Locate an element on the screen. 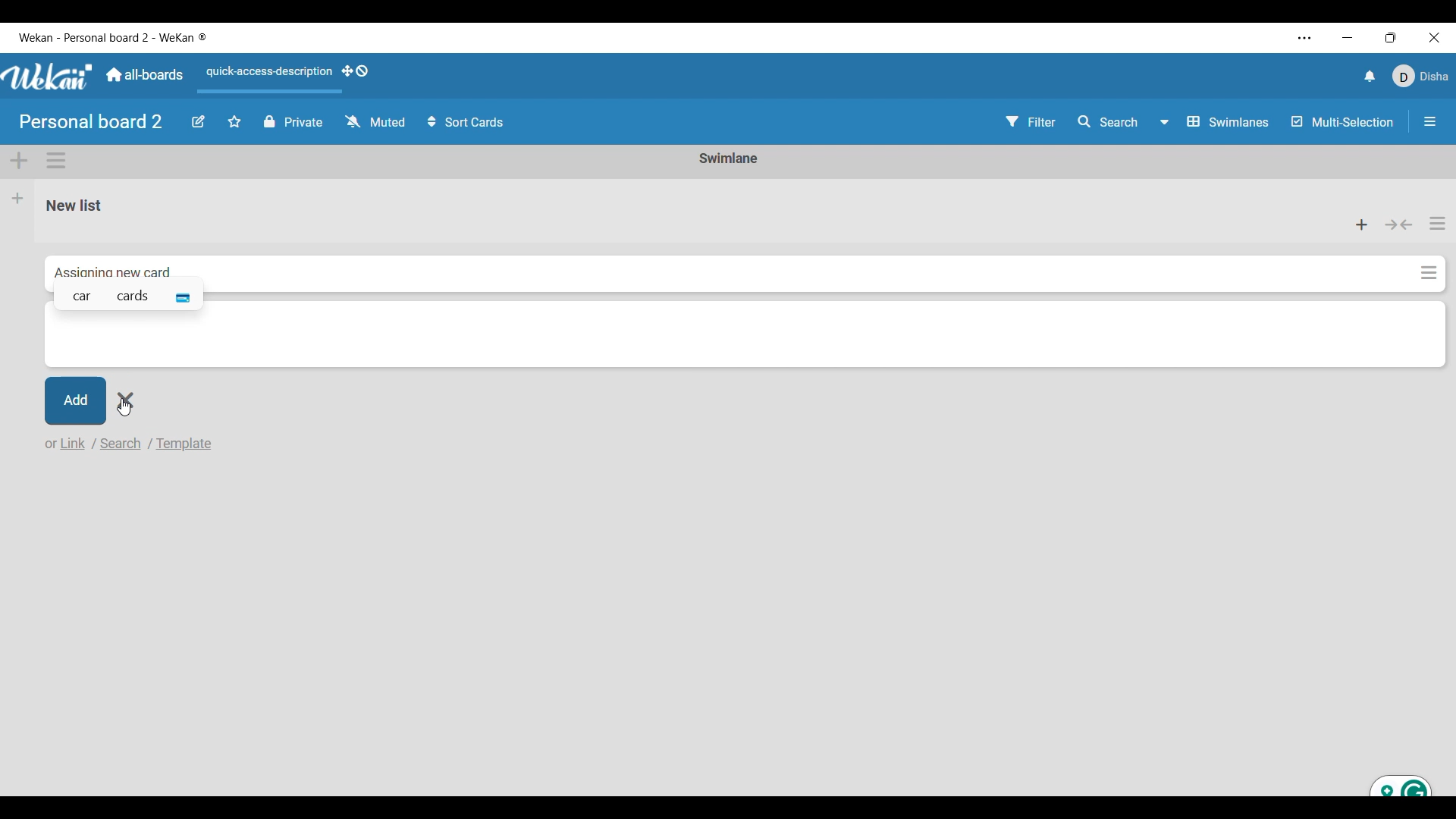  Go to main dashboard is located at coordinates (144, 75).